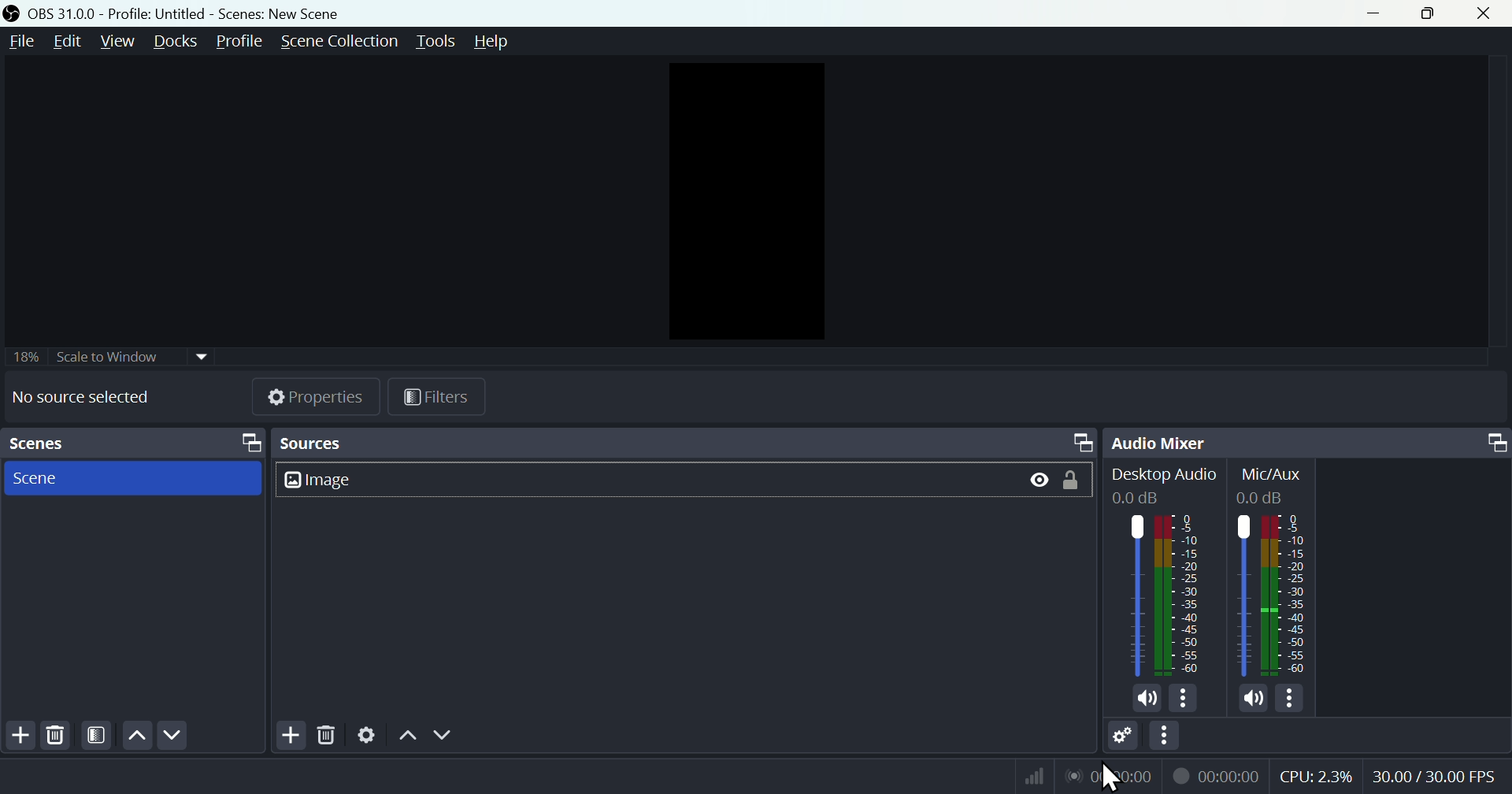  What do you see at coordinates (444, 734) in the screenshot?
I see `Down` at bounding box center [444, 734].